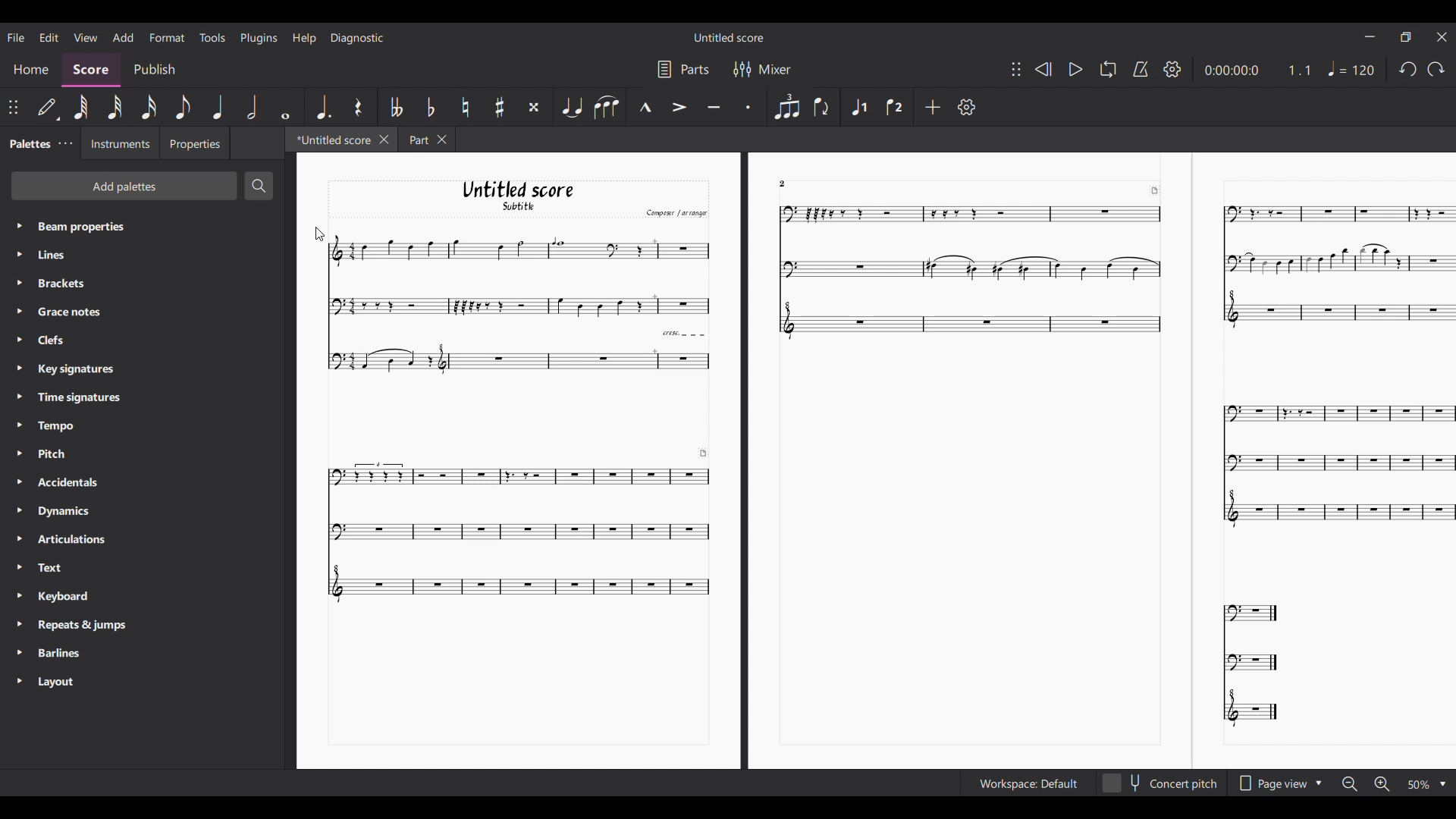 The width and height of the screenshot is (1456, 819). What do you see at coordinates (1043, 69) in the screenshot?
I see `Rewind` at bounding box center [1043, 69].